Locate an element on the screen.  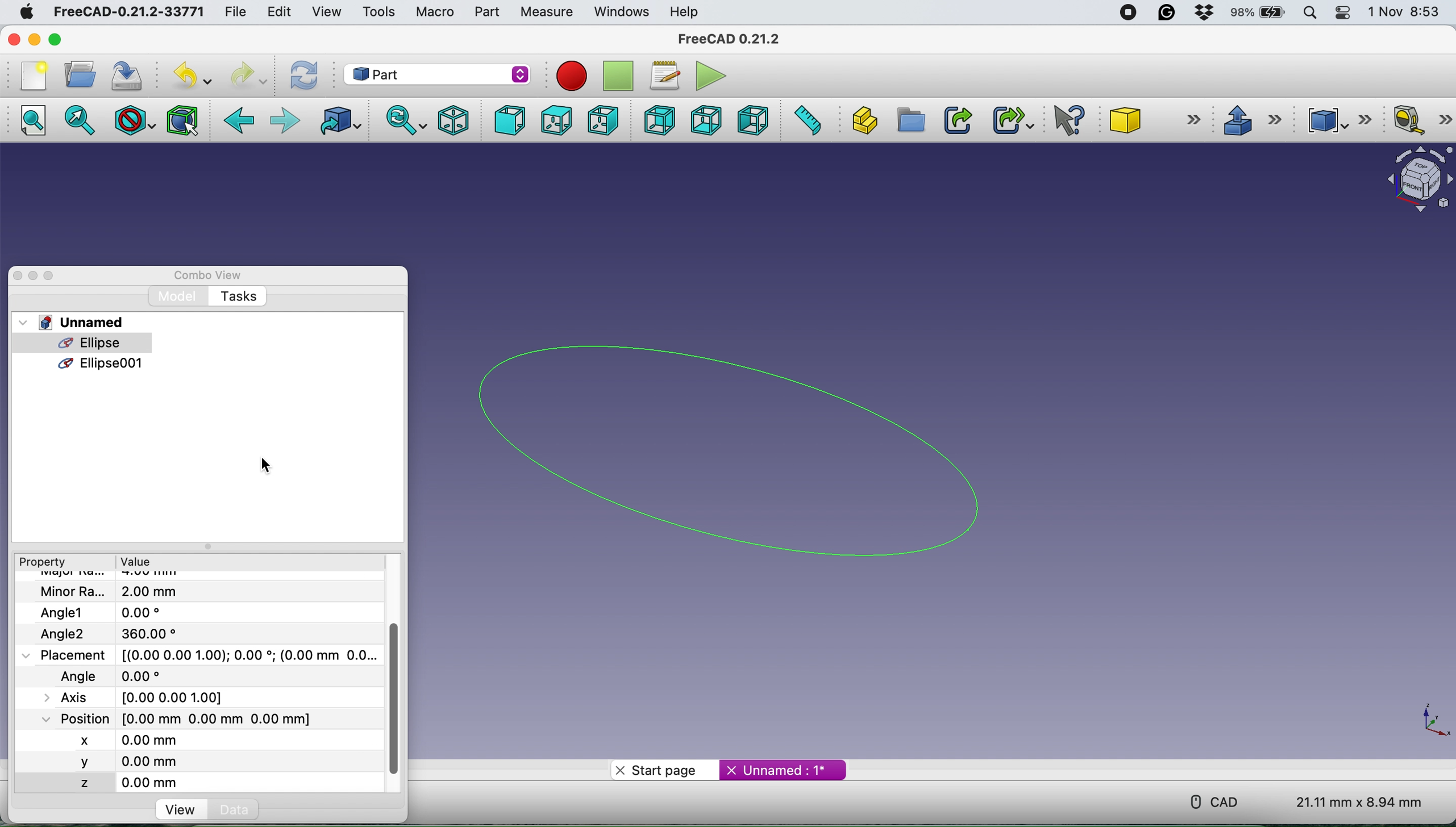
minimise is located at coordinates (34, 275).